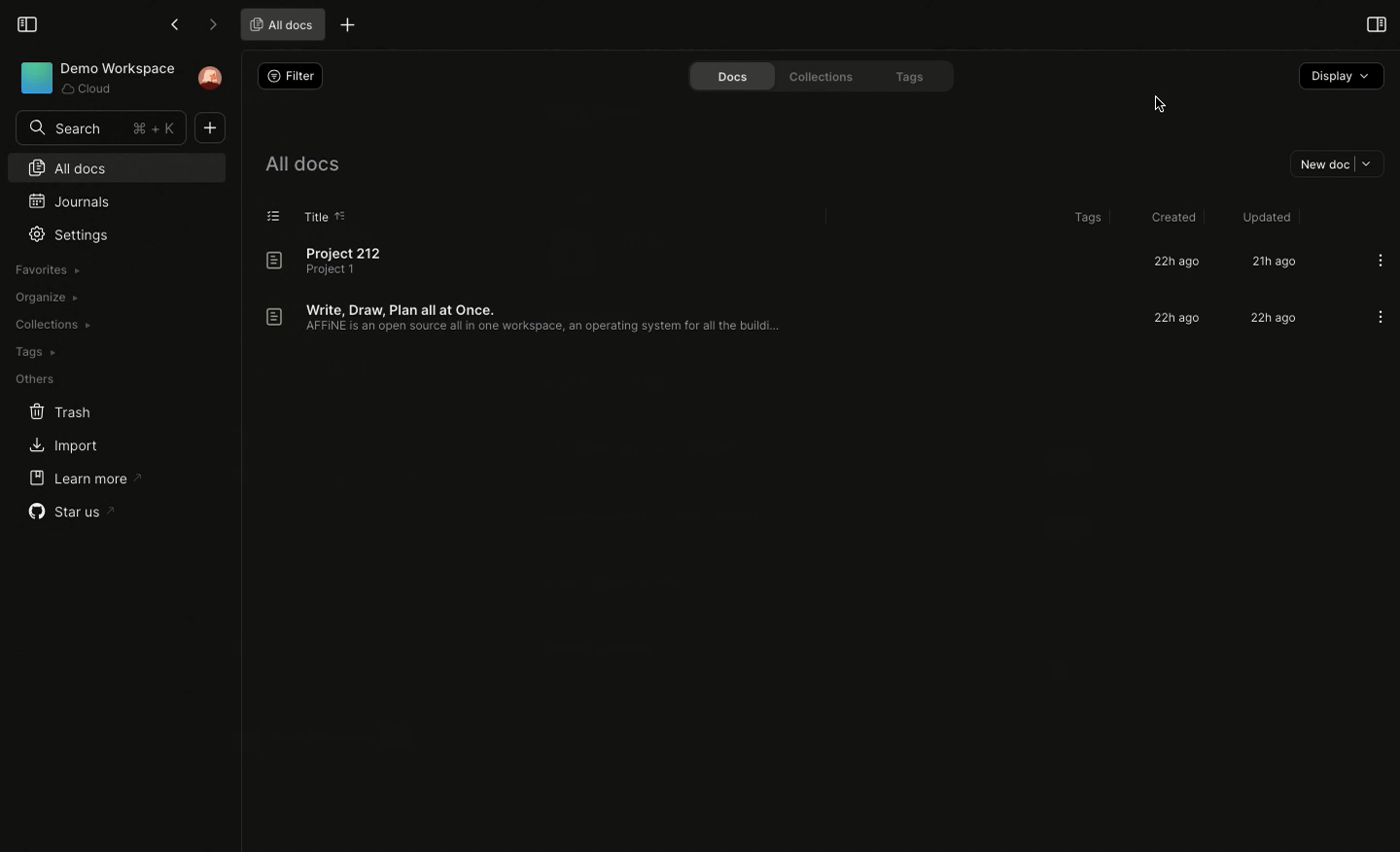 This screenshot has width=1400, height=852. What do you see at coordinates (1273, 263) in the screenshot?
I see `21h ago` at bounding box center [1273, 263].